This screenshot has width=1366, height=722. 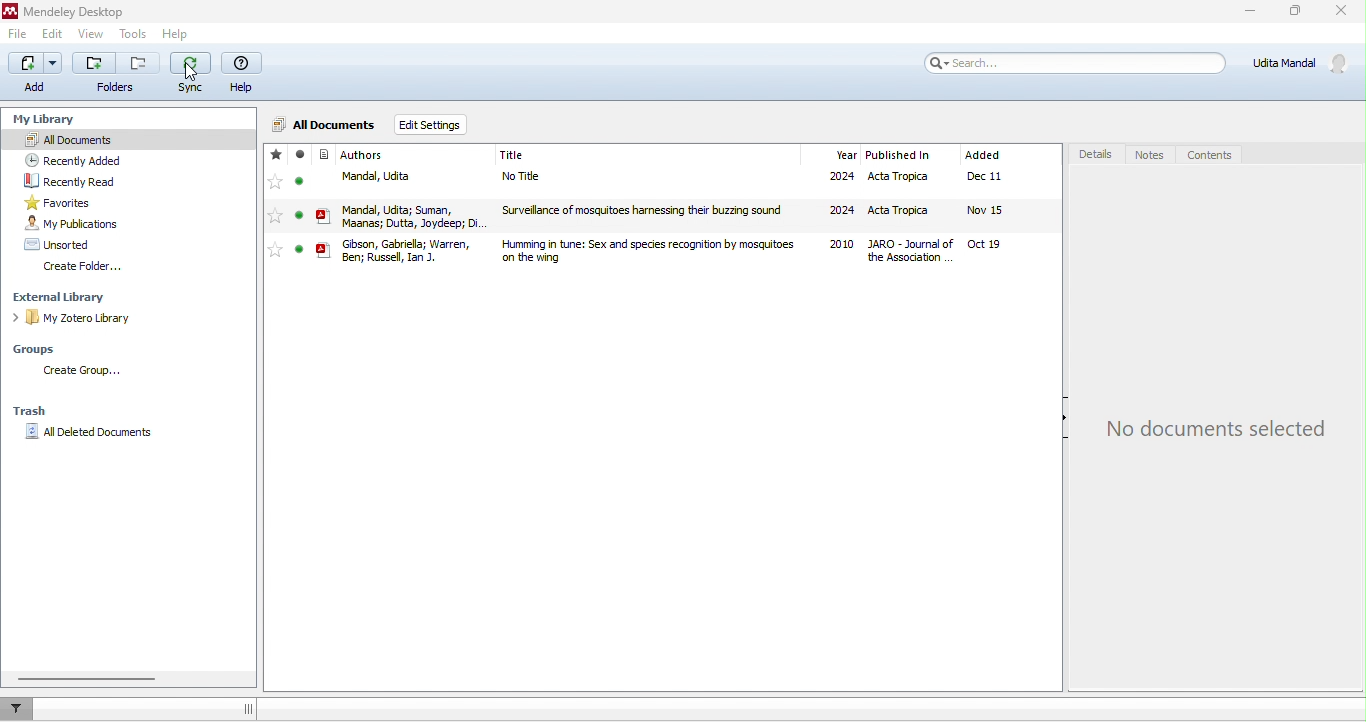 What do you see at coordinates (131, 35) in the screenshot?
I see `tools` at bounding box center [131, 35].